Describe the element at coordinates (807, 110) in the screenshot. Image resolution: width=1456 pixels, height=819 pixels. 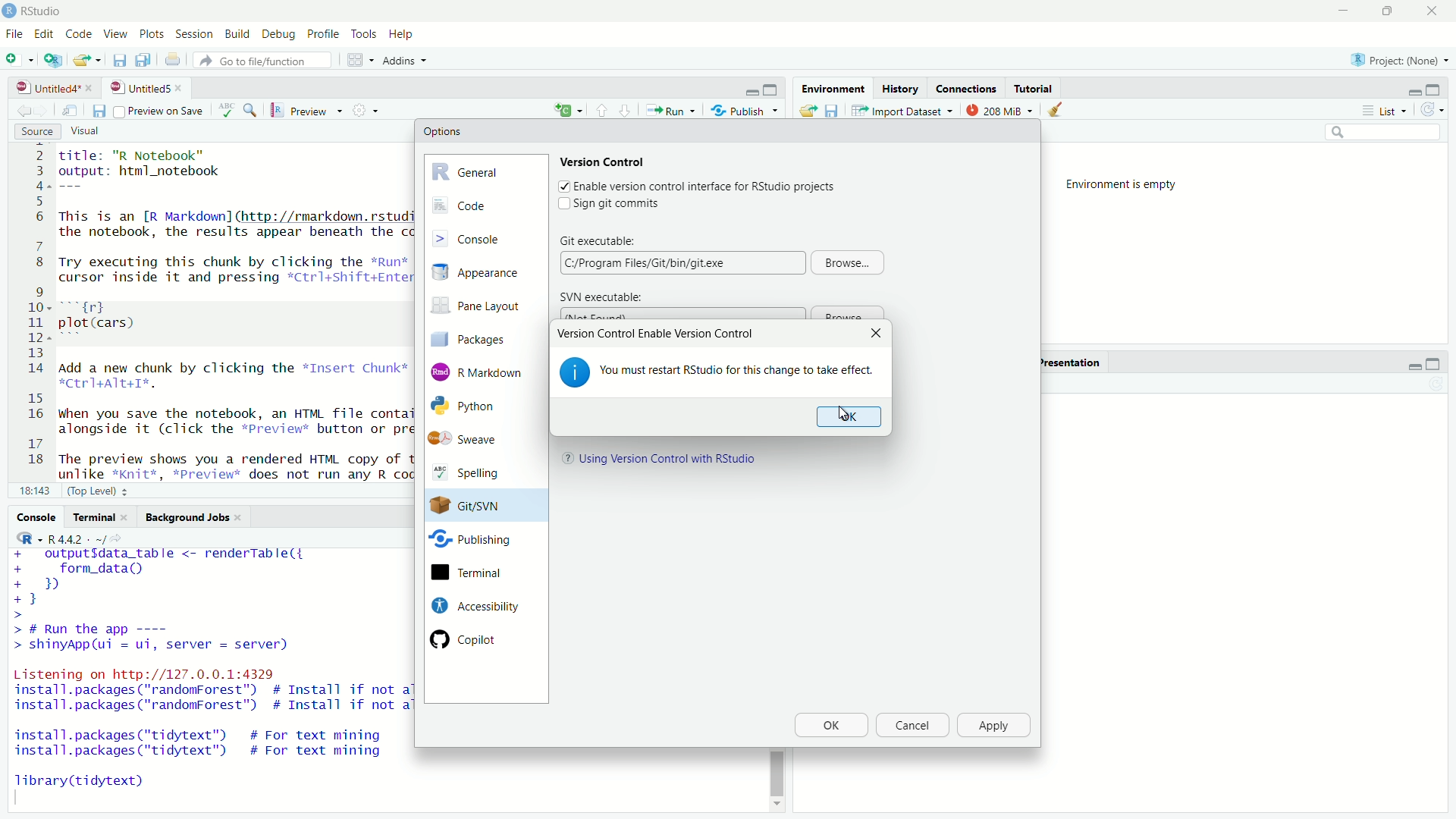
I see `Load WorSpace` at that location.